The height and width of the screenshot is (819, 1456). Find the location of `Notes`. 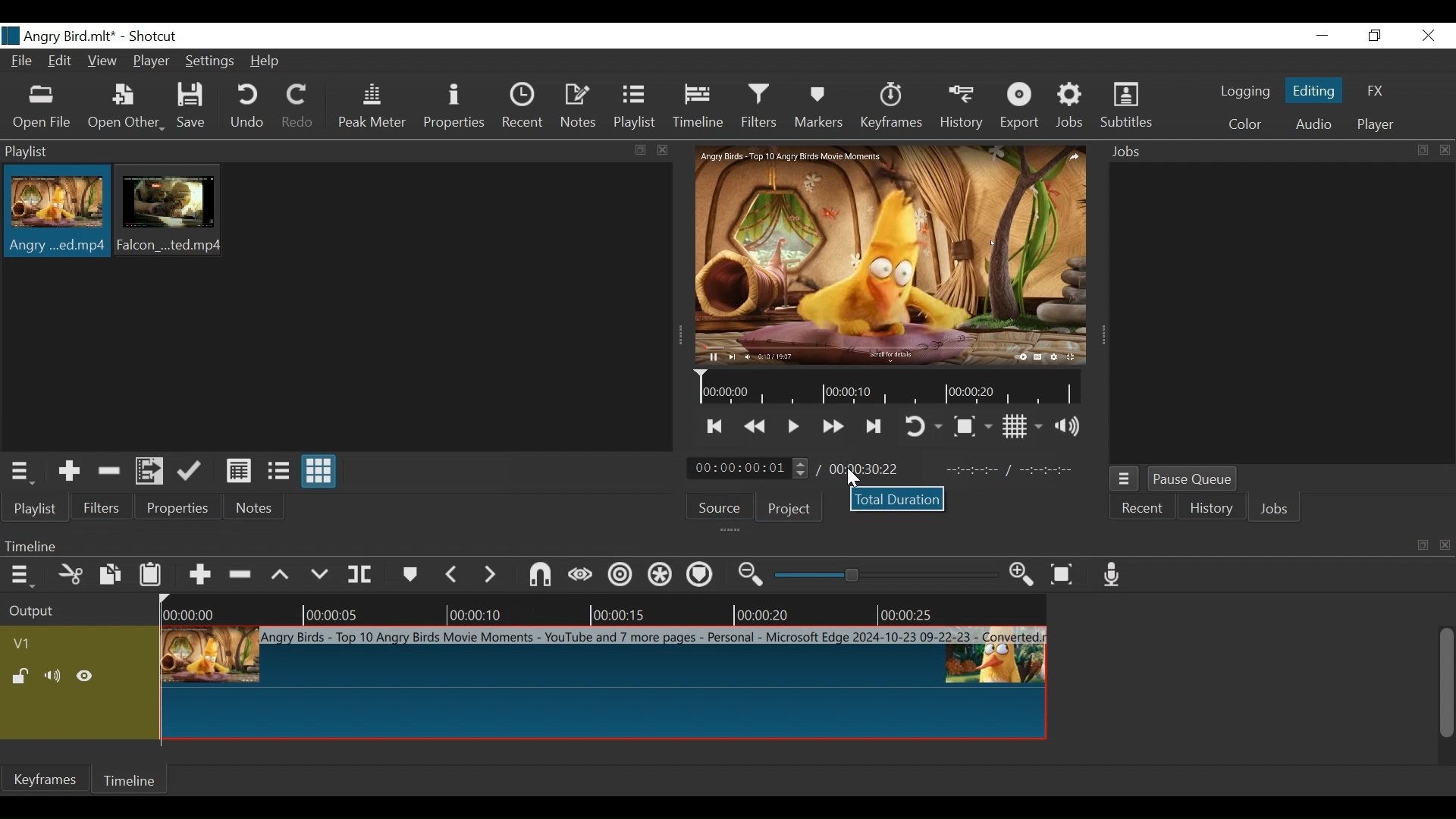

Notes is located at coordinates (253, 507).